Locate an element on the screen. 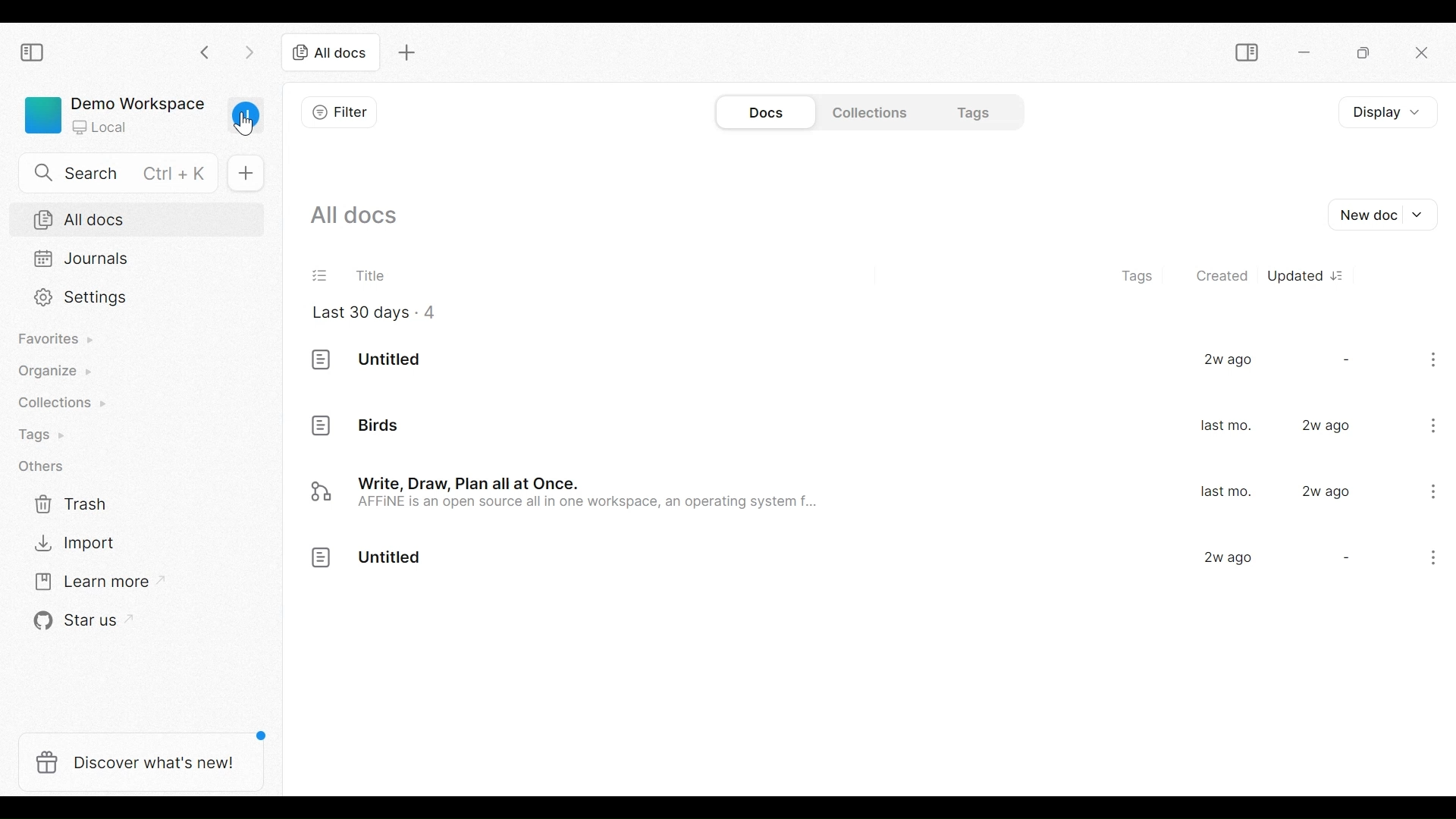  Tags is located at coordinates (966, 111).